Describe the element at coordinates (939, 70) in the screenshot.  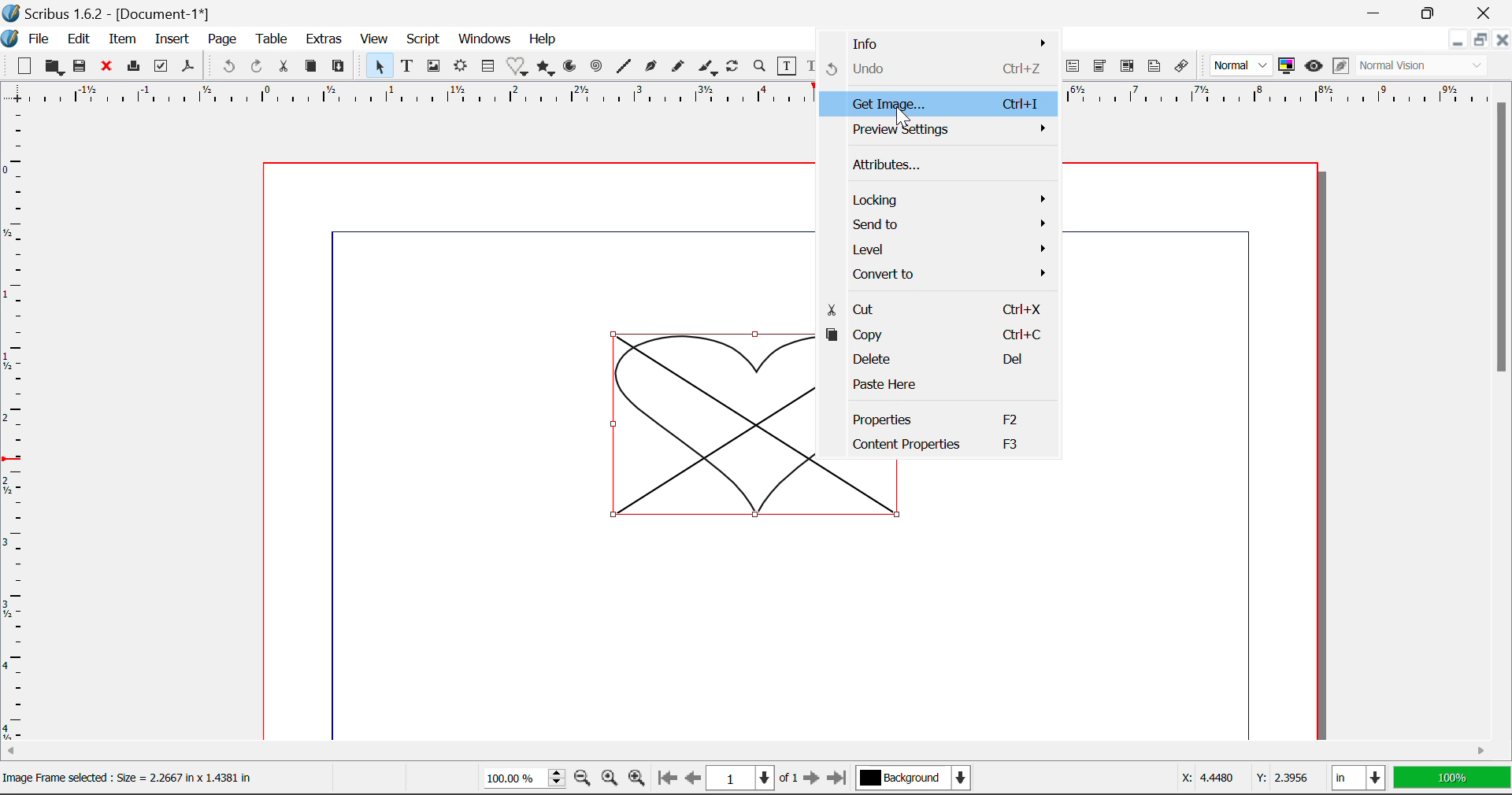
I see `Undo` at that location.